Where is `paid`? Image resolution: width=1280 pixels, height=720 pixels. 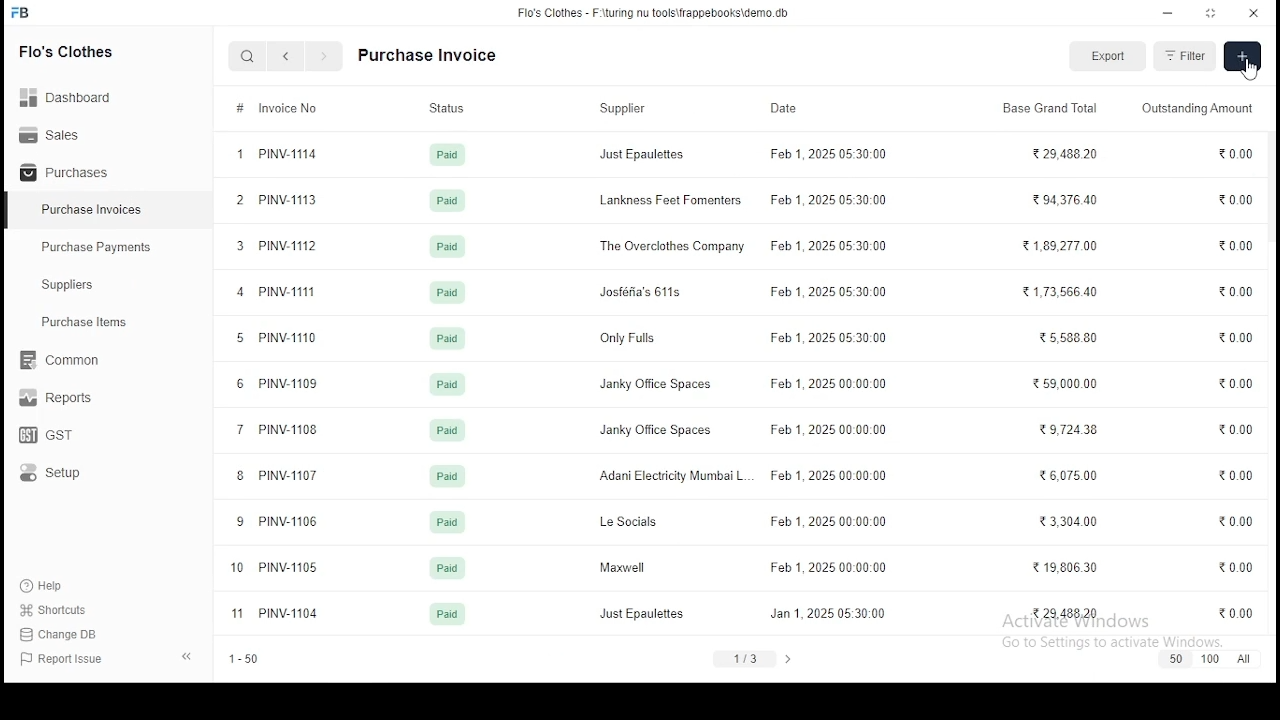
paid is located at coordinates (448, 293).